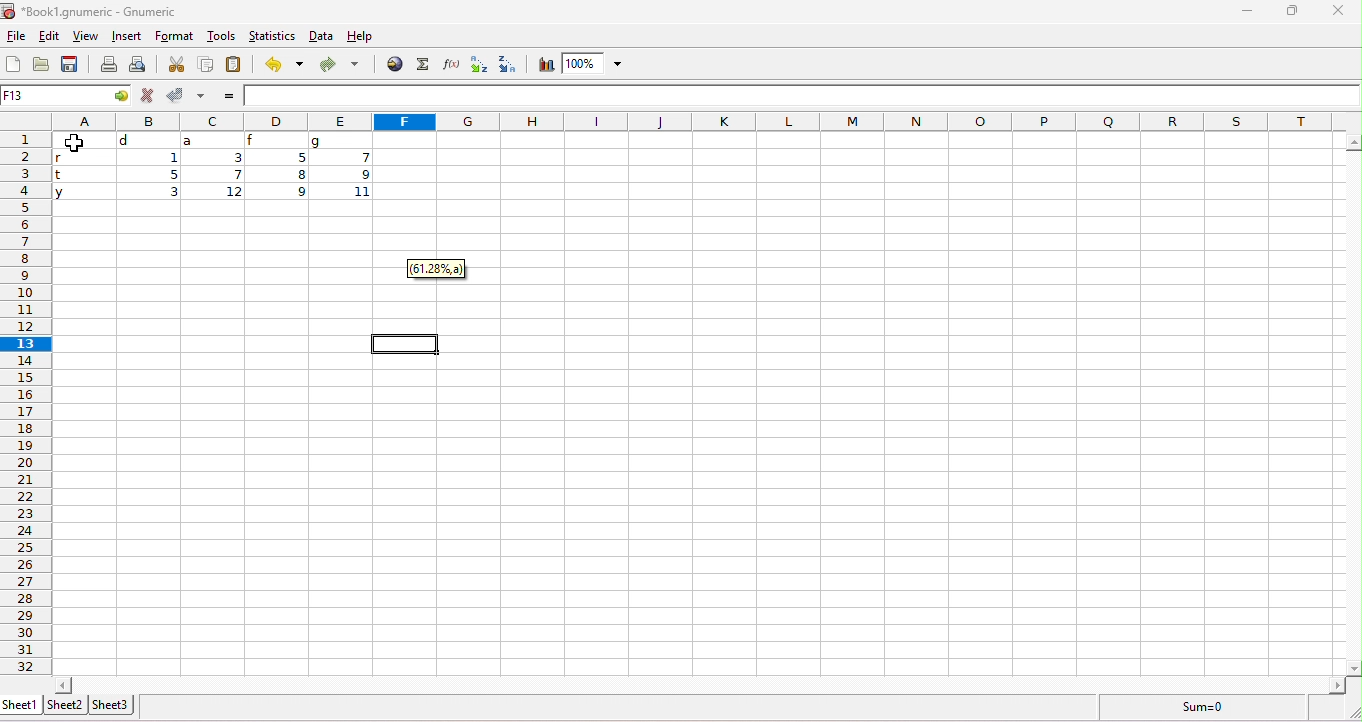  Describe the element at coordinates (1353, 403) in the screenshot. I see `vertical slider` at that location.